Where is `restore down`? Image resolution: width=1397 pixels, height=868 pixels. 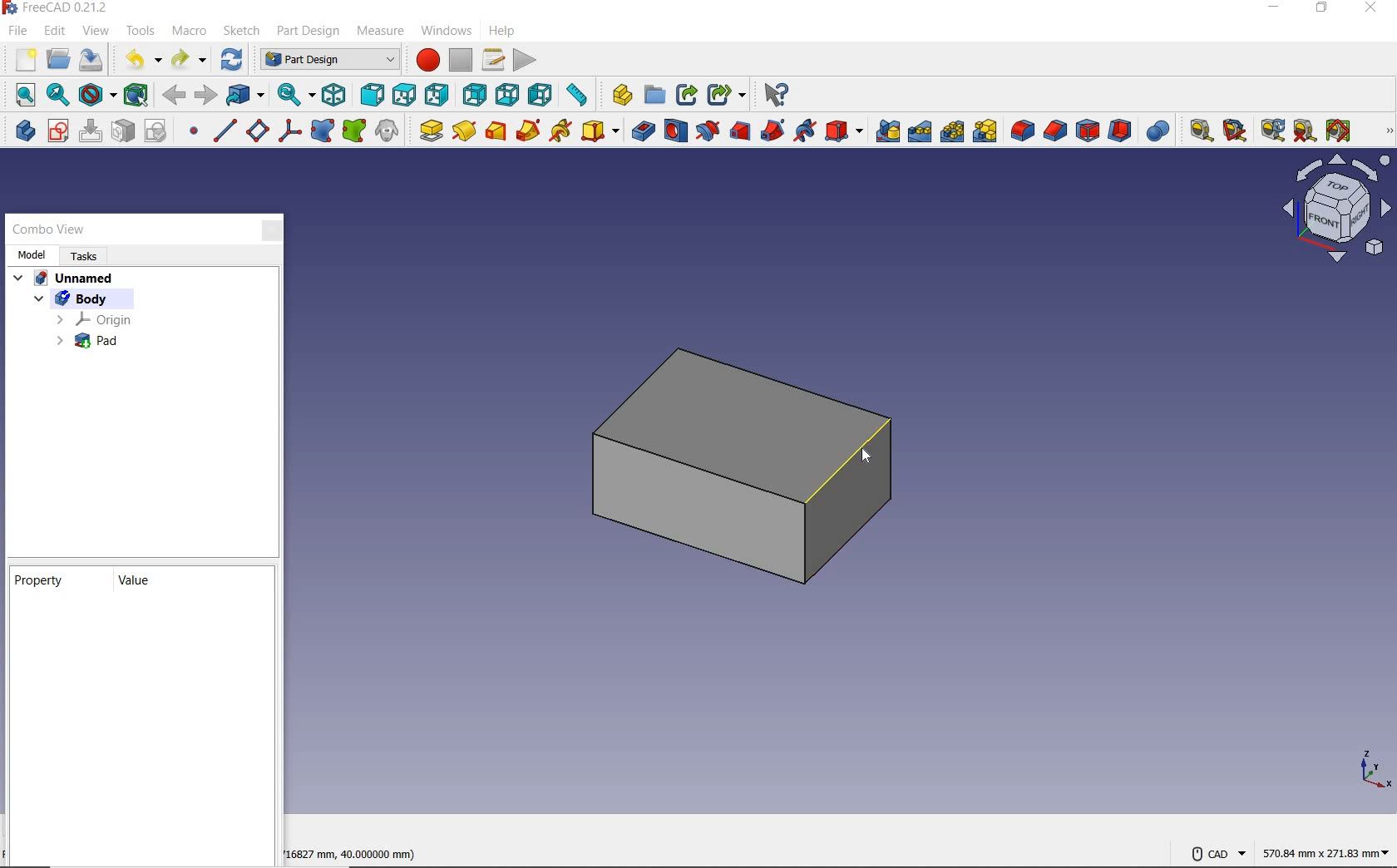
restore down is located at coordinates (1320, 8).